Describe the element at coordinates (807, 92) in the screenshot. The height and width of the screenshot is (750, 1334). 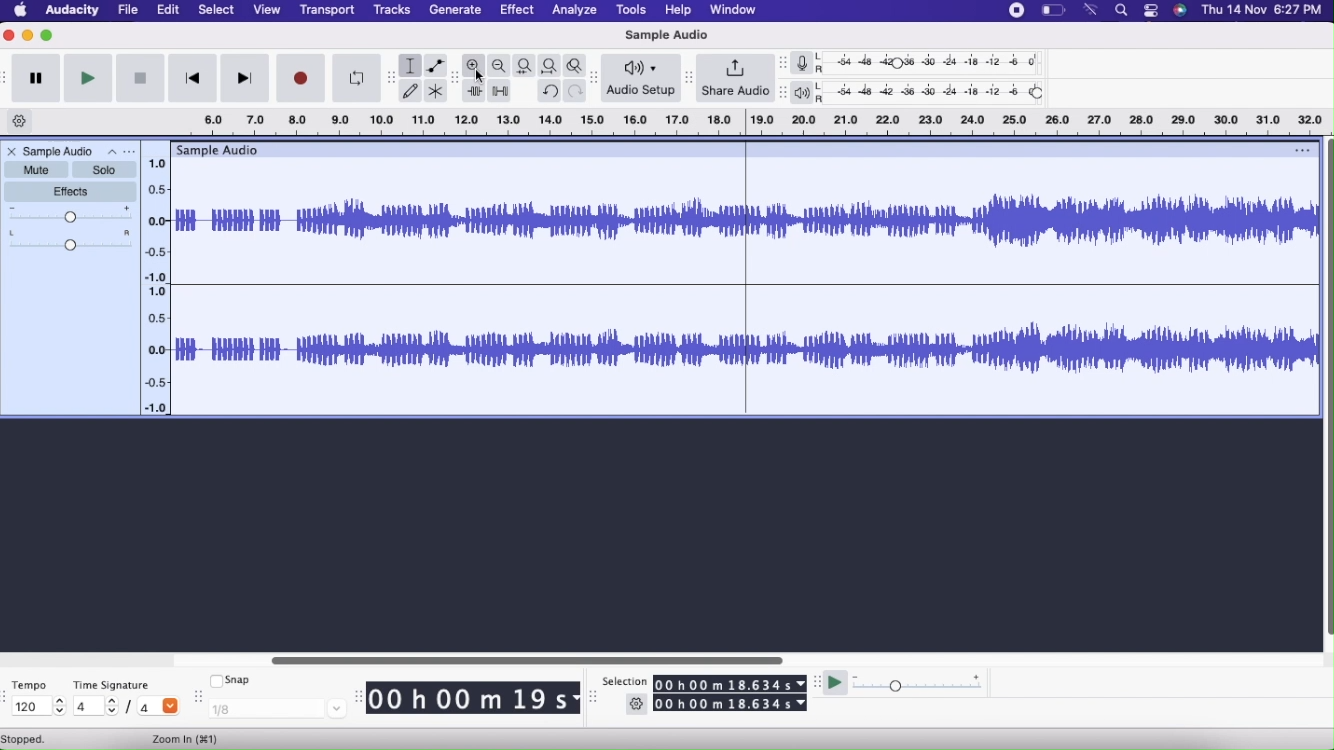
I see `Playback meter` at that location.